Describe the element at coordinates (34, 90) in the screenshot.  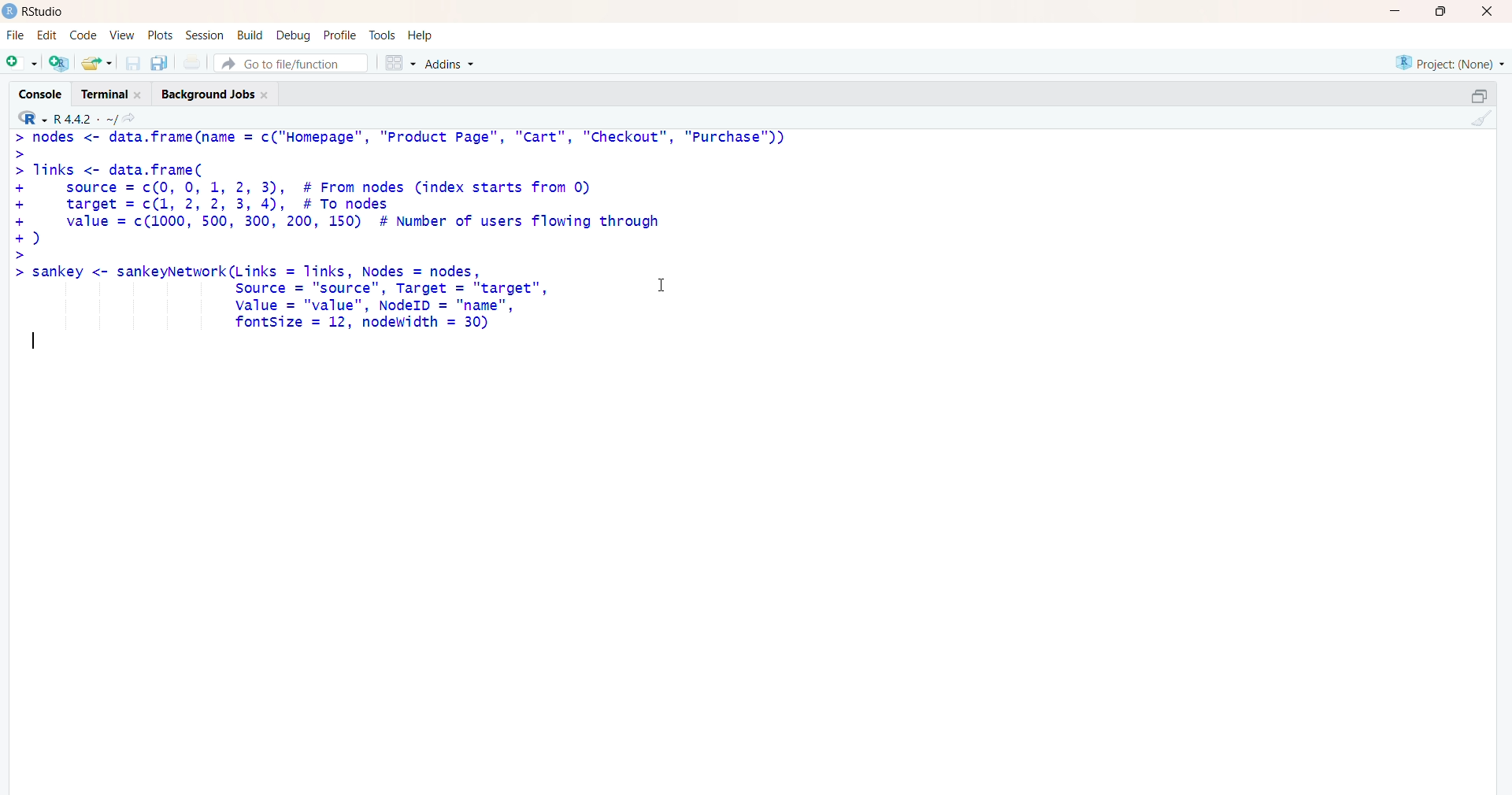
I see `console` at that location.